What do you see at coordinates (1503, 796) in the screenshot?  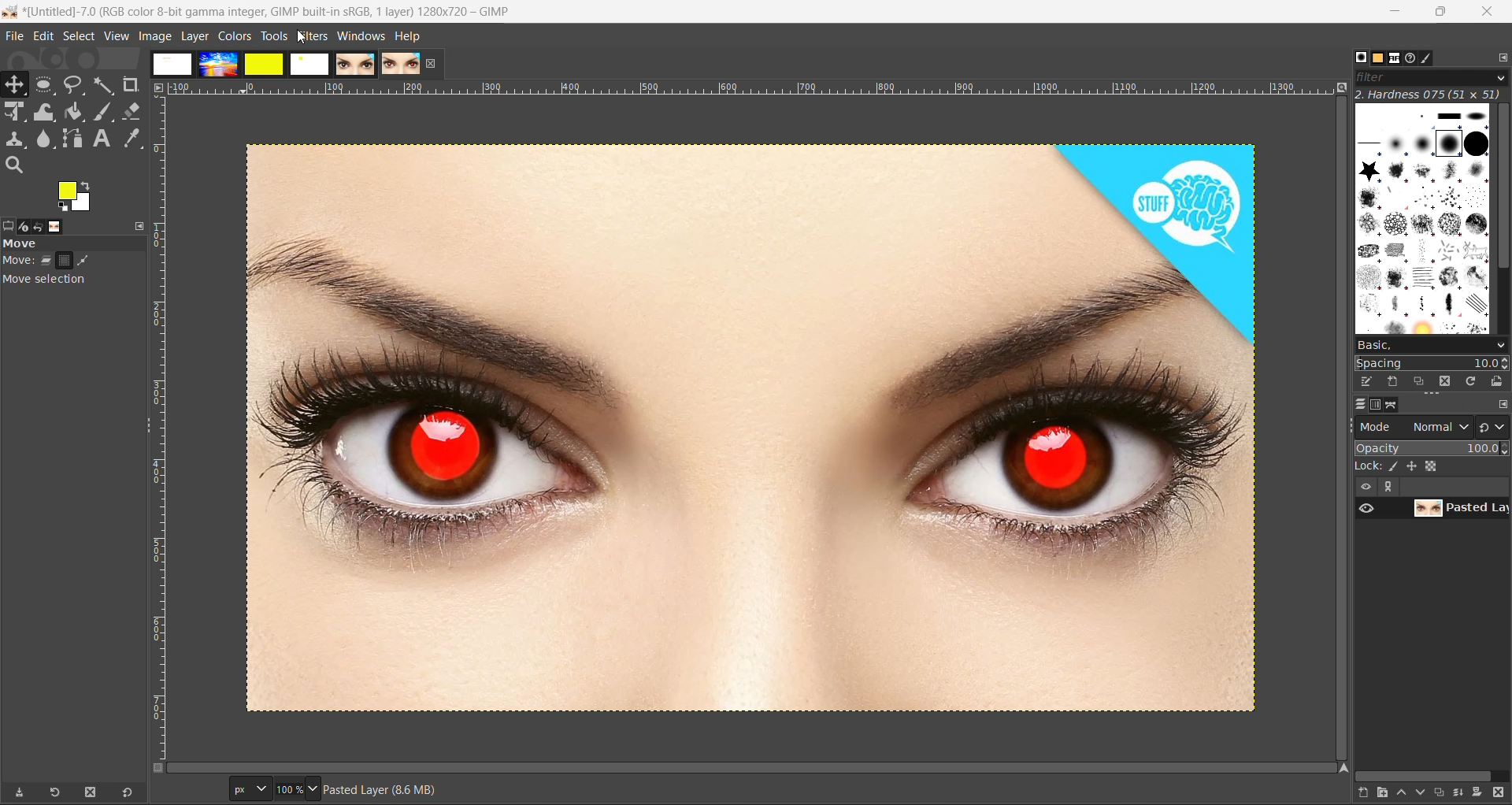 I see `delete this layer` at bounding box center [1503, 796].